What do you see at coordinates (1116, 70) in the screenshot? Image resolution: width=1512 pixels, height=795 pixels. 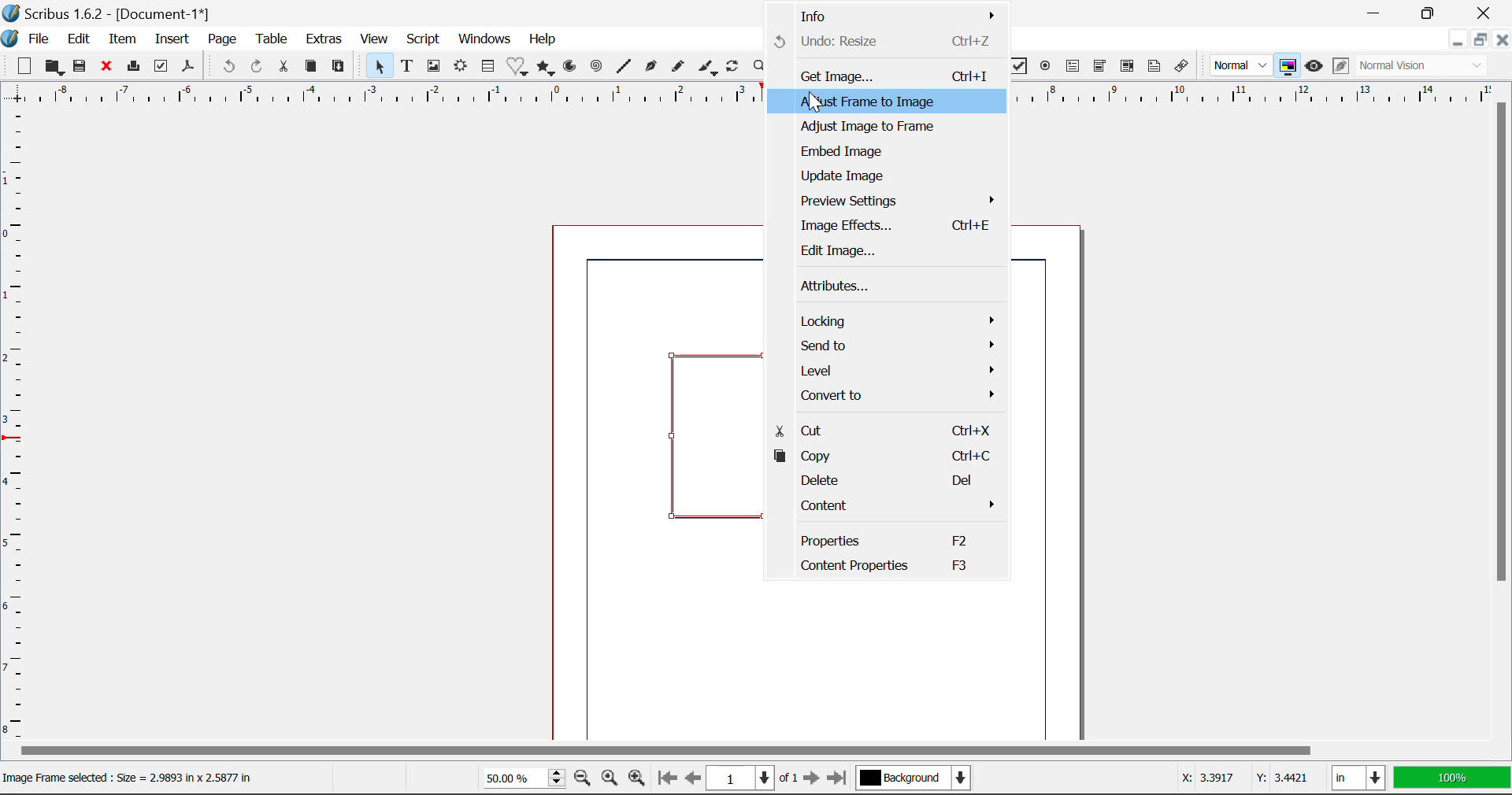 I see `Pdf Listbox` at bounding box center [1116, 70].